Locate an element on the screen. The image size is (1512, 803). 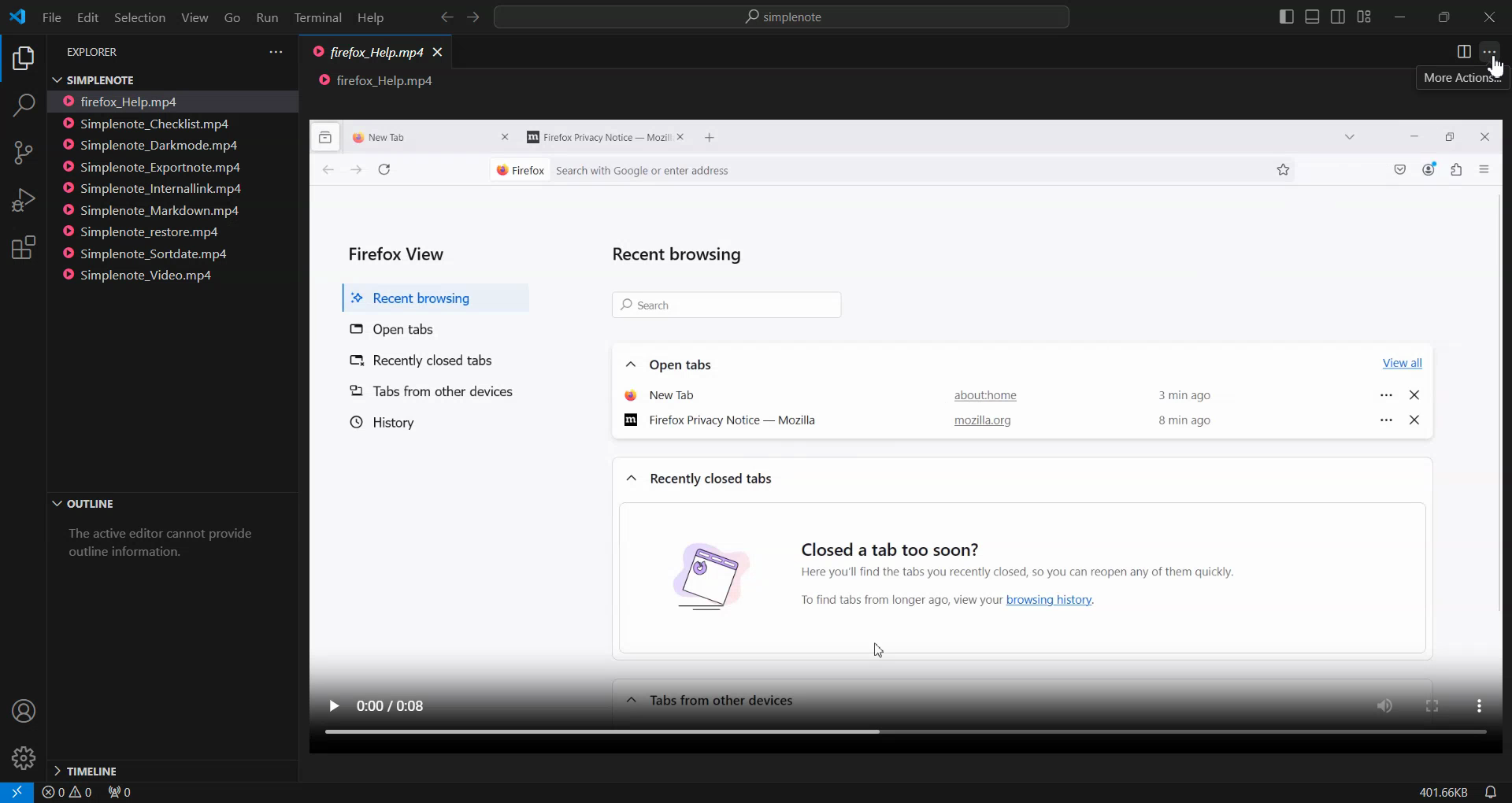
Simplenote  Files is located at coordinates (157, 79).